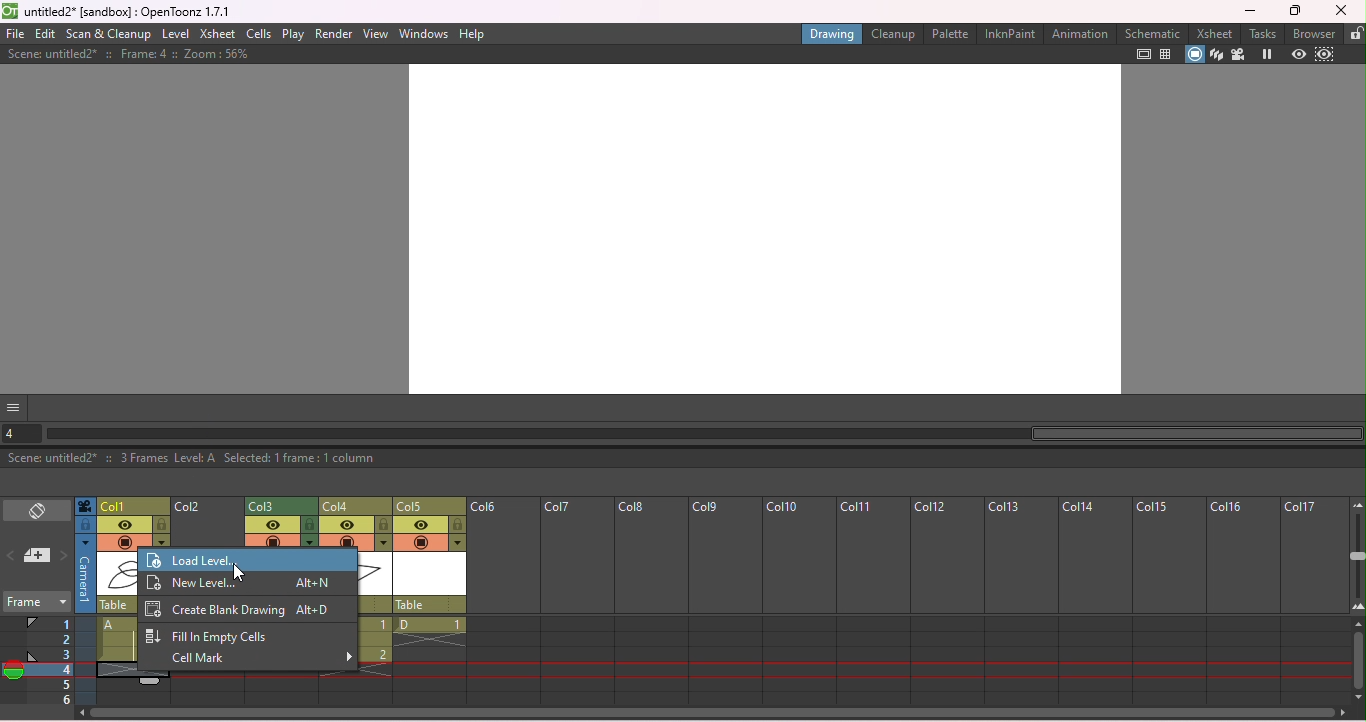 The width and height of the screenshot is (1366, 722). Describe the element at coordinates (1314, 601) in the screenshot. I see `column 17` at that location.